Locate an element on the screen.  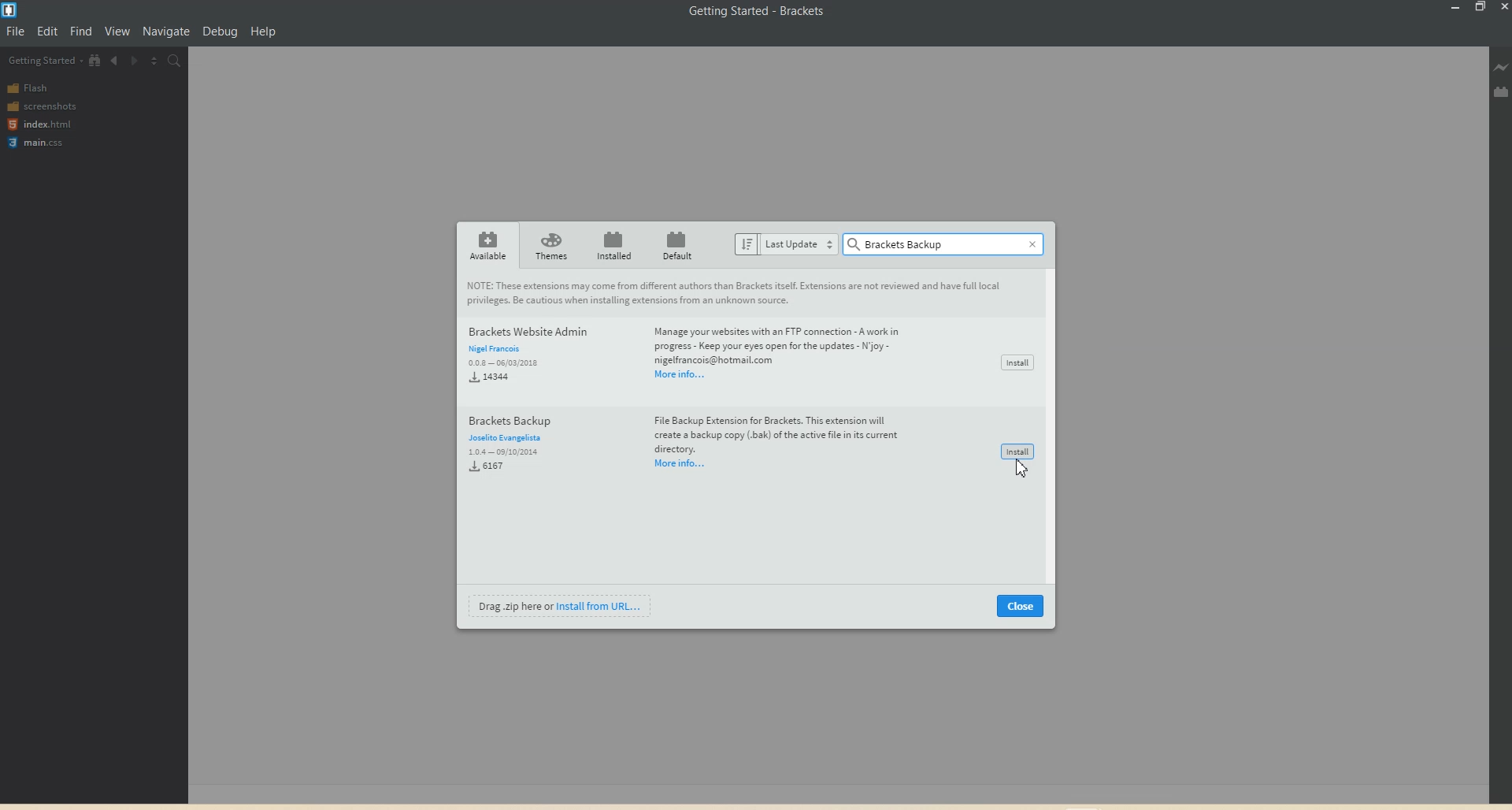
File Backup Extension for Brackets. This extension will create a backup copy (bak) of the active fil in its current directory.Moreinfo... is located at coordinates (775, 442).